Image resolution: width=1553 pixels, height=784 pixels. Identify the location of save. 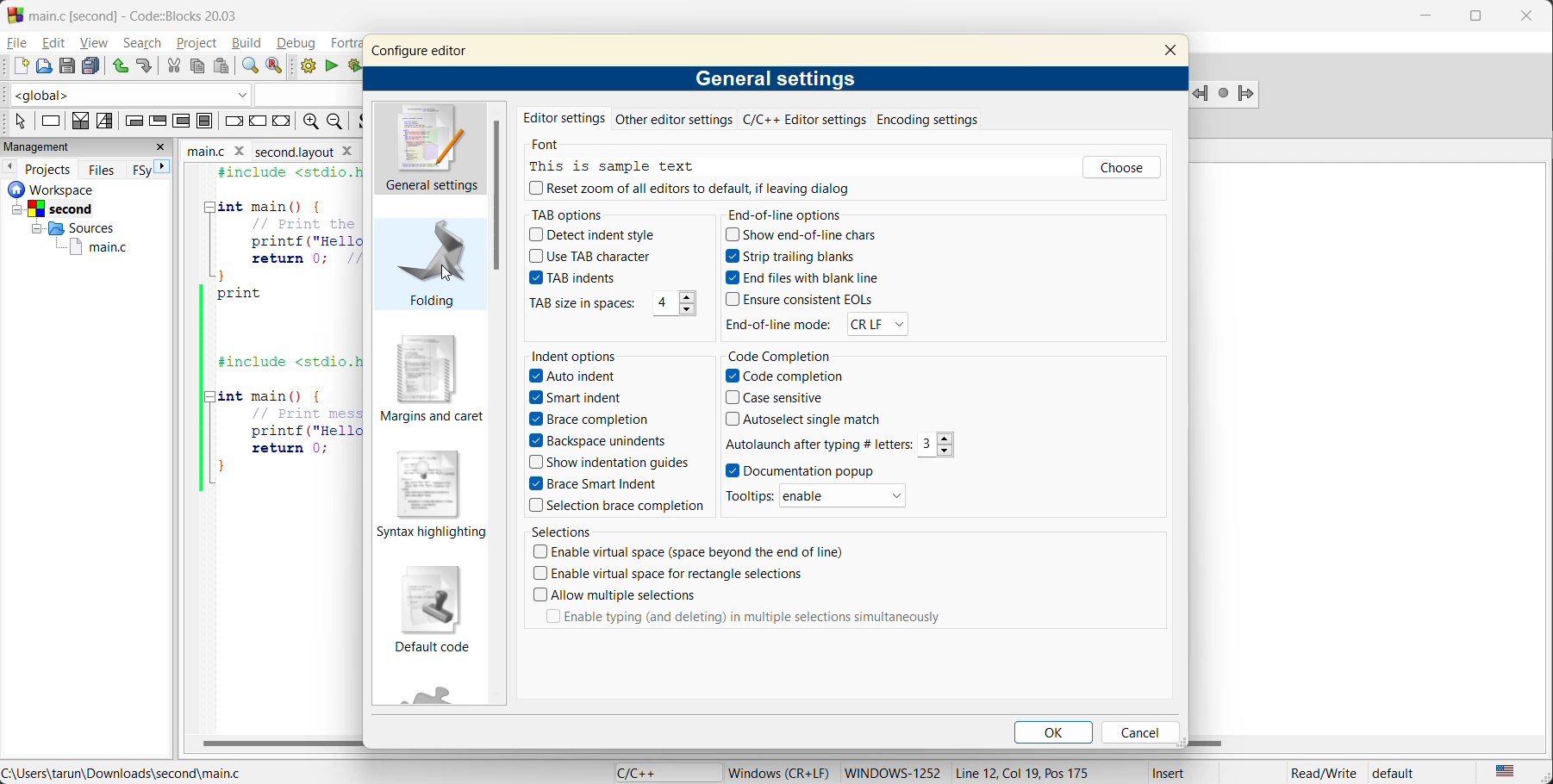
(68, 65).